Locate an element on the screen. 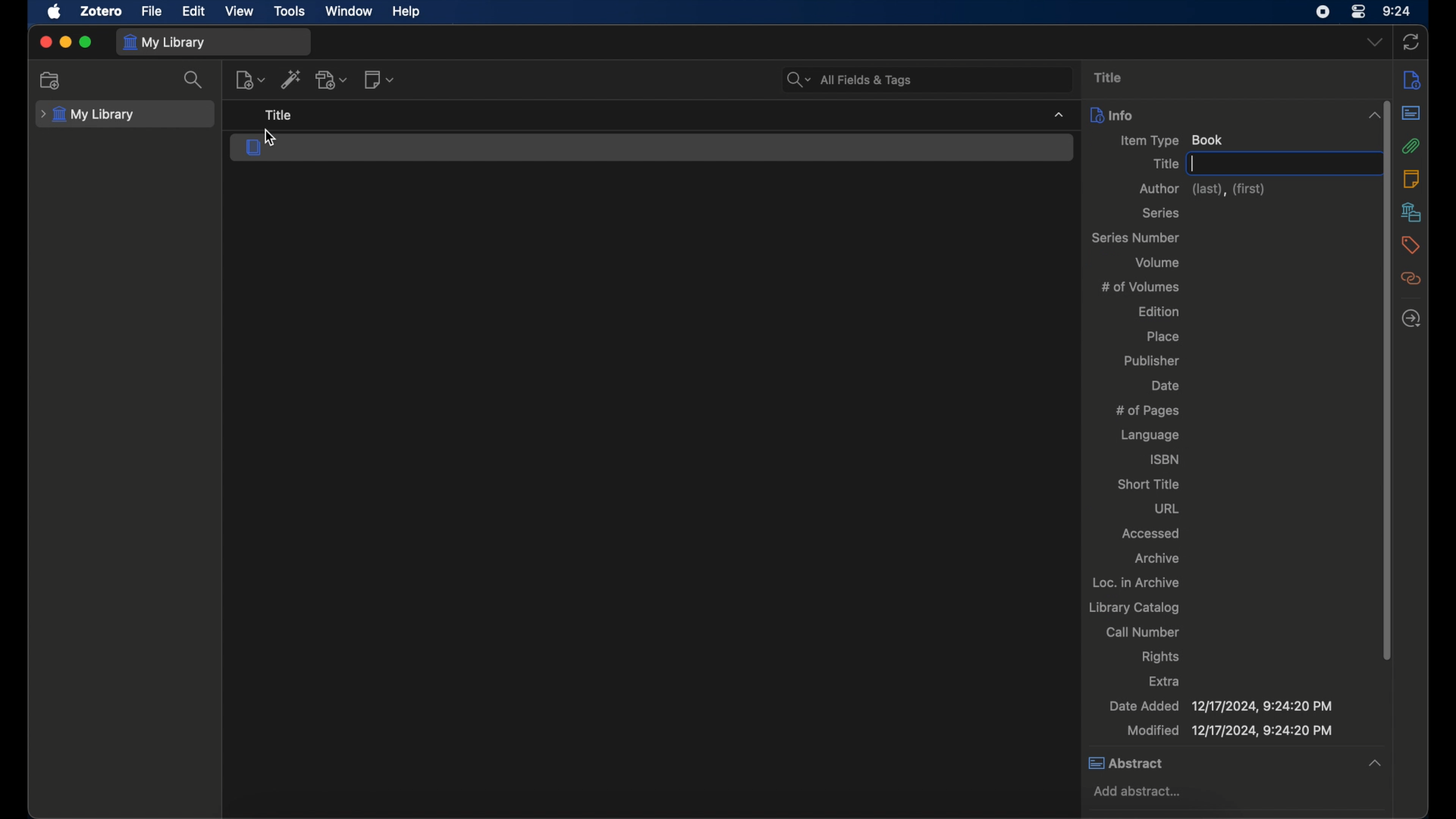 This screenshot has width=1456, height=819. apple icon is located at coordinates (55, 12).